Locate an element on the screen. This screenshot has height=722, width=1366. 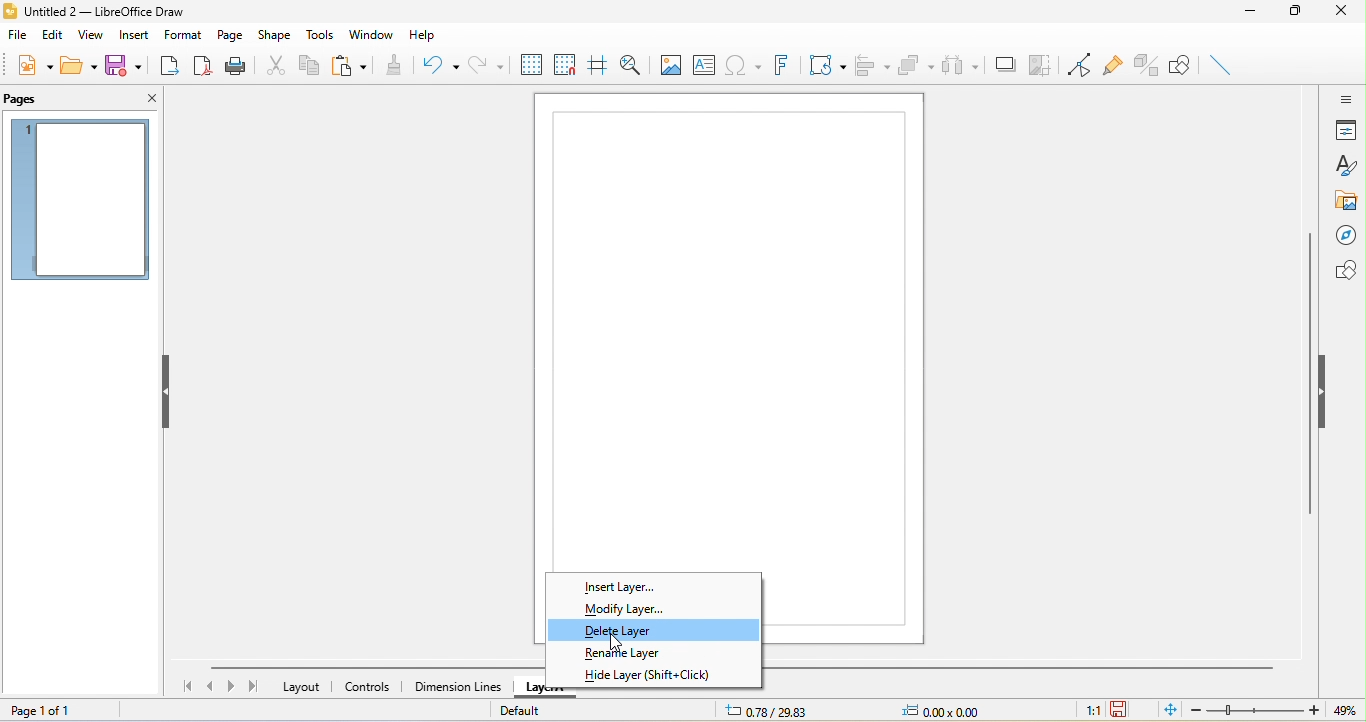
gluepoint function is located at coordinates (1112, 66).